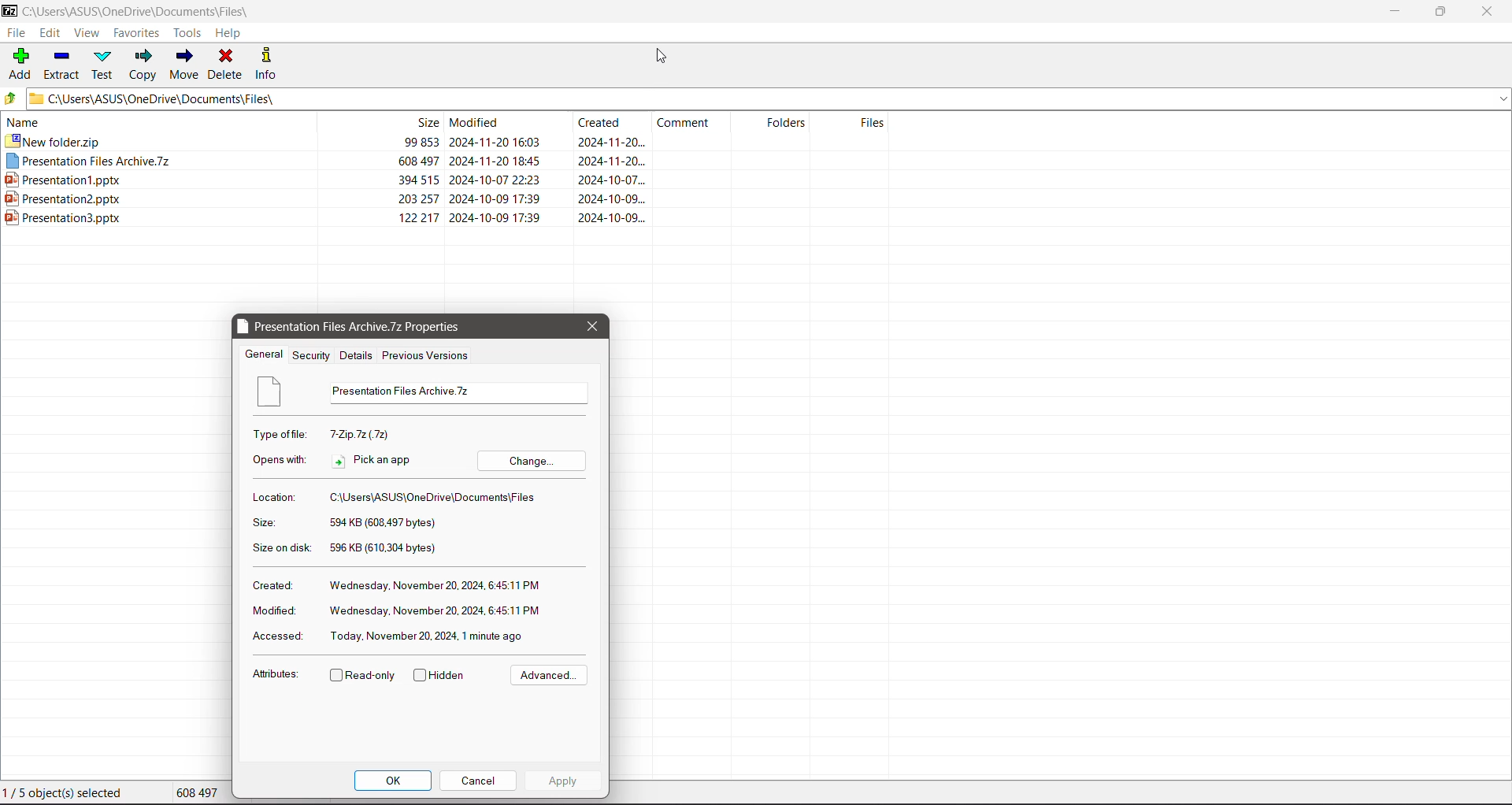  What do you see at coordinates (442, 675) in the screenshot?
I see `Hidden - Click to enable/disable` at bounding box center [442, 675].